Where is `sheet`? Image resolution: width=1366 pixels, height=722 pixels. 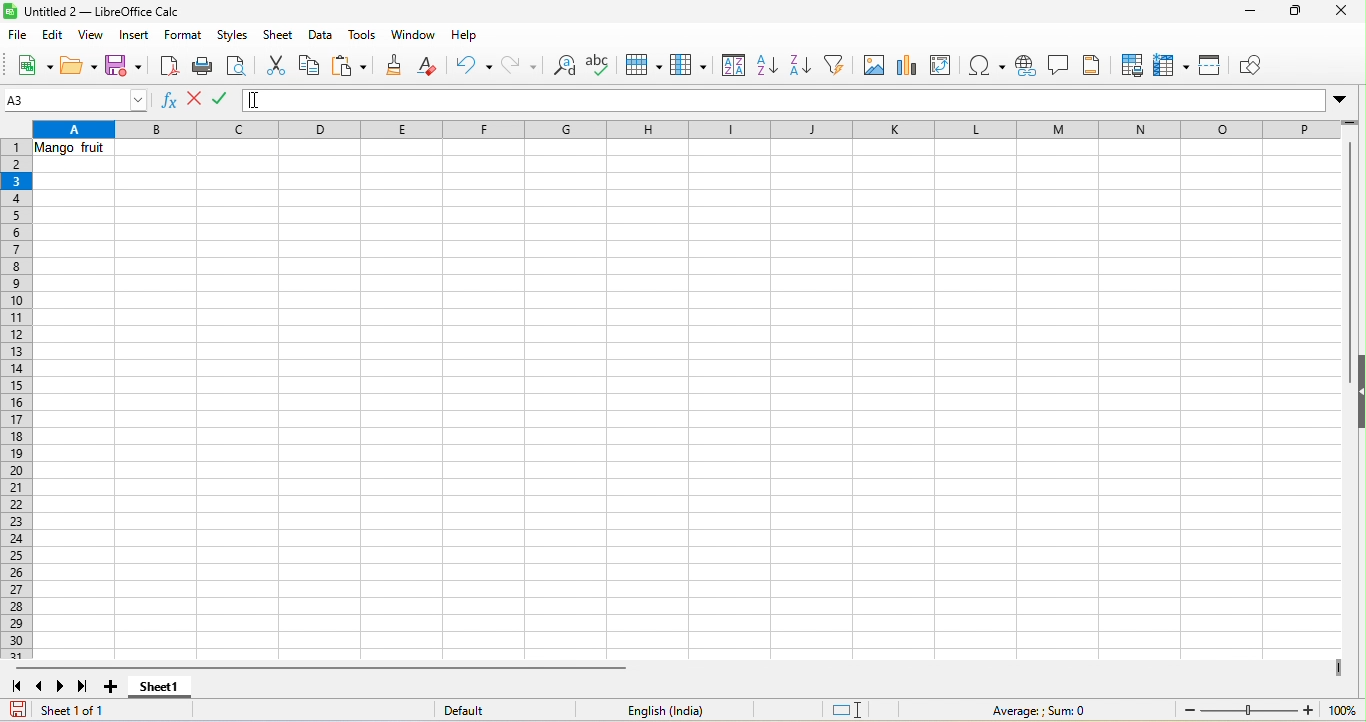
sheet is located at coordinates (280, 35).